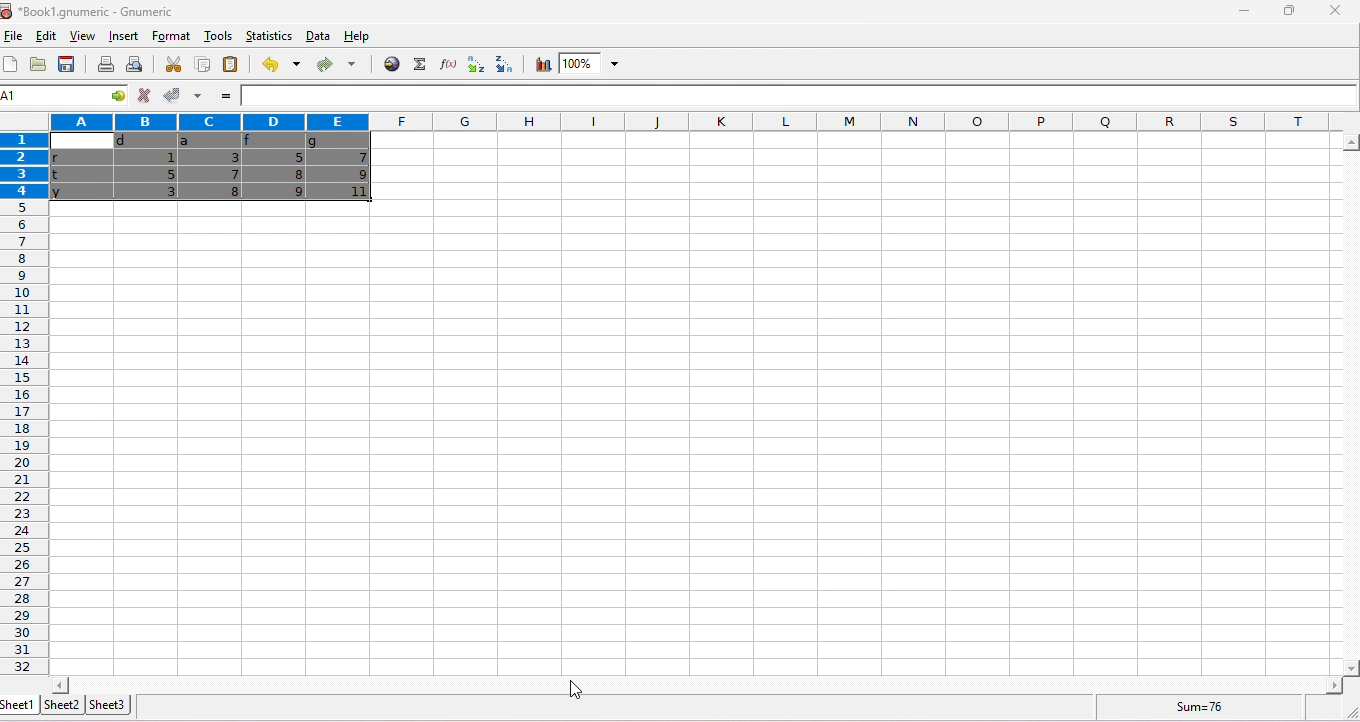 The width and height of the screenshot is (1360, 722). I want to click on open, so click(38, 65).